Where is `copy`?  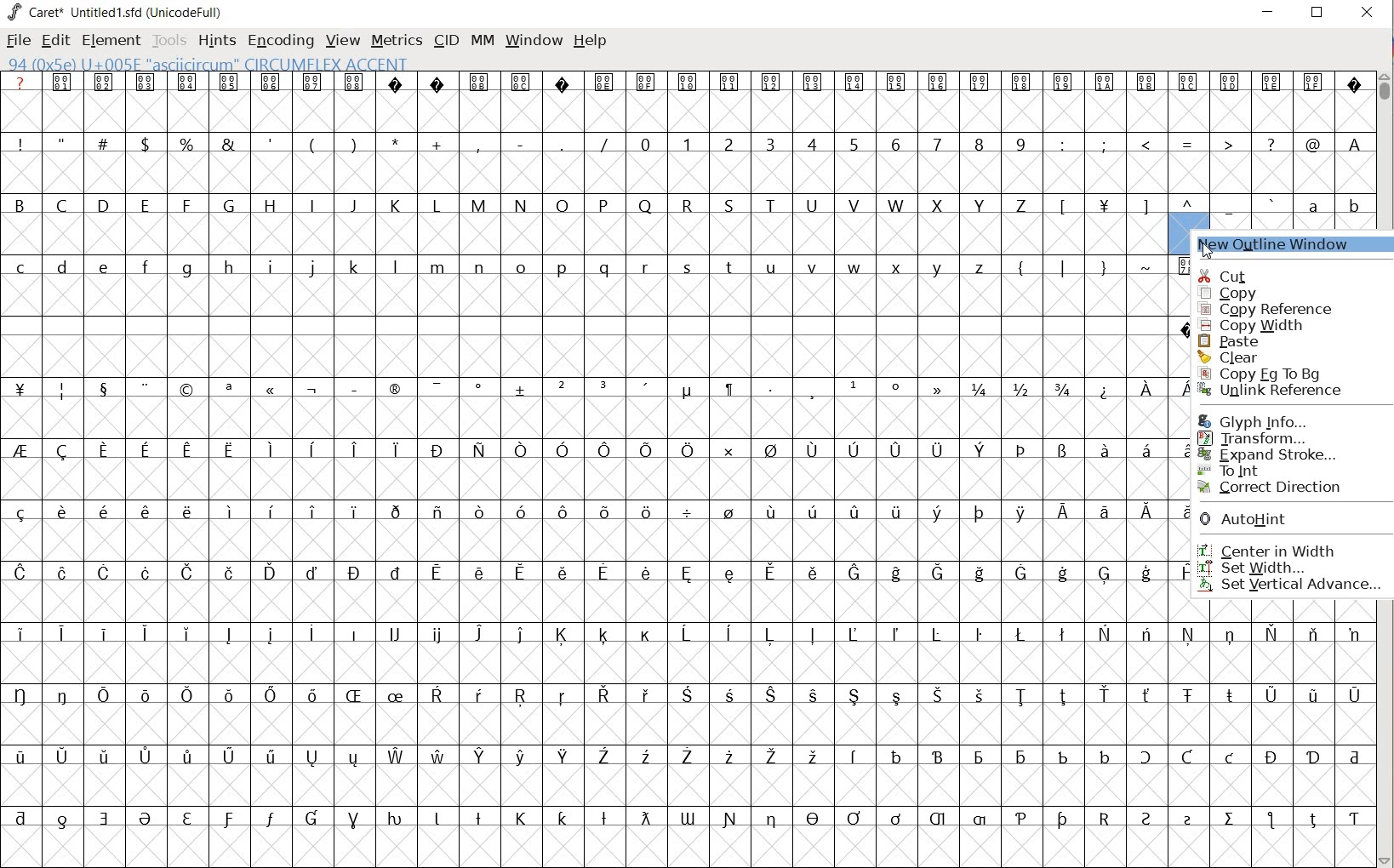
copy is located at coordinates (1260, 293).